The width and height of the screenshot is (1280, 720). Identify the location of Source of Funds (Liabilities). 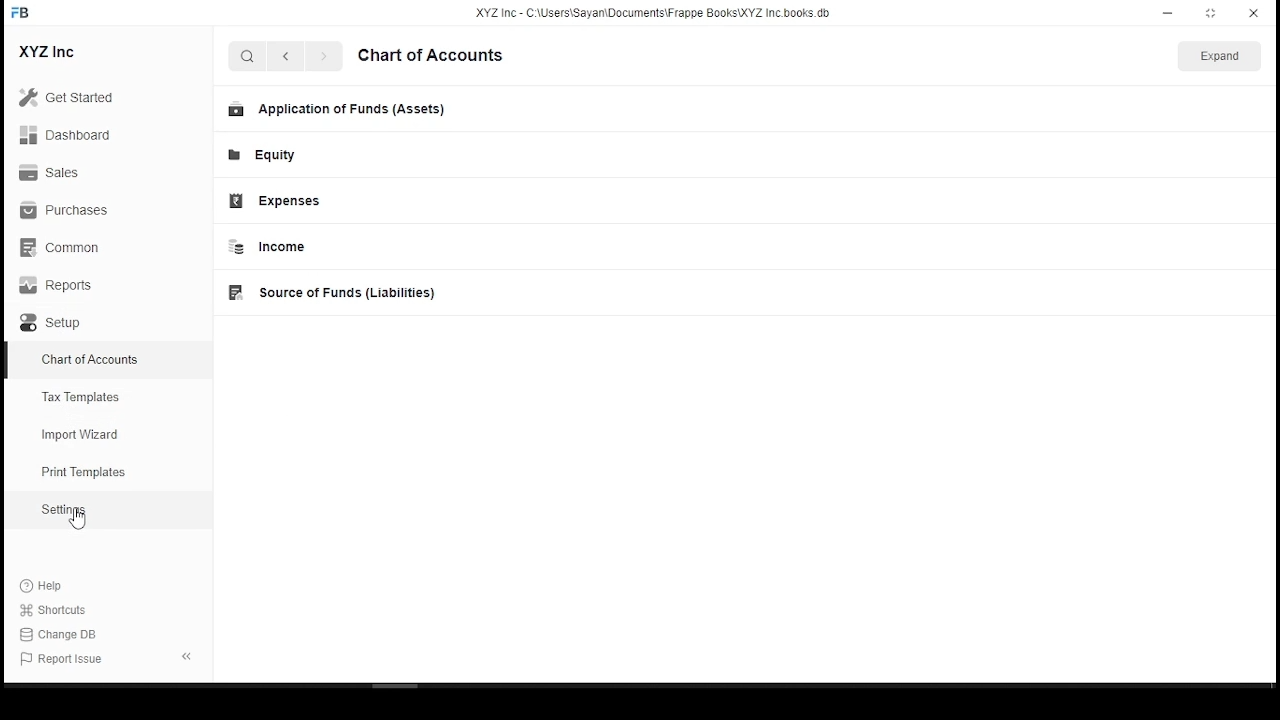
(333, 292).